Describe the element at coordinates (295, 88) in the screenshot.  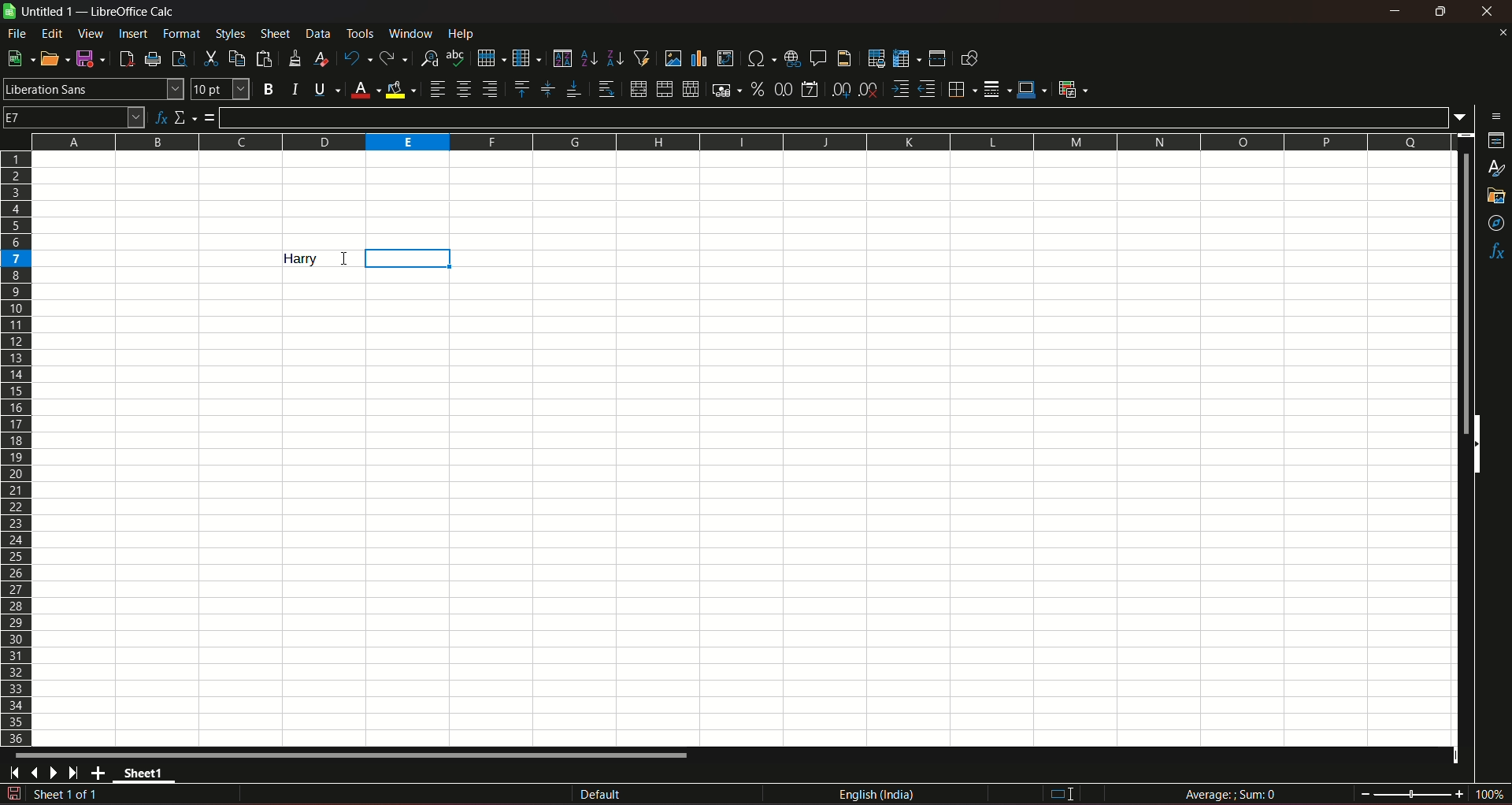
I see `italic` at that location.